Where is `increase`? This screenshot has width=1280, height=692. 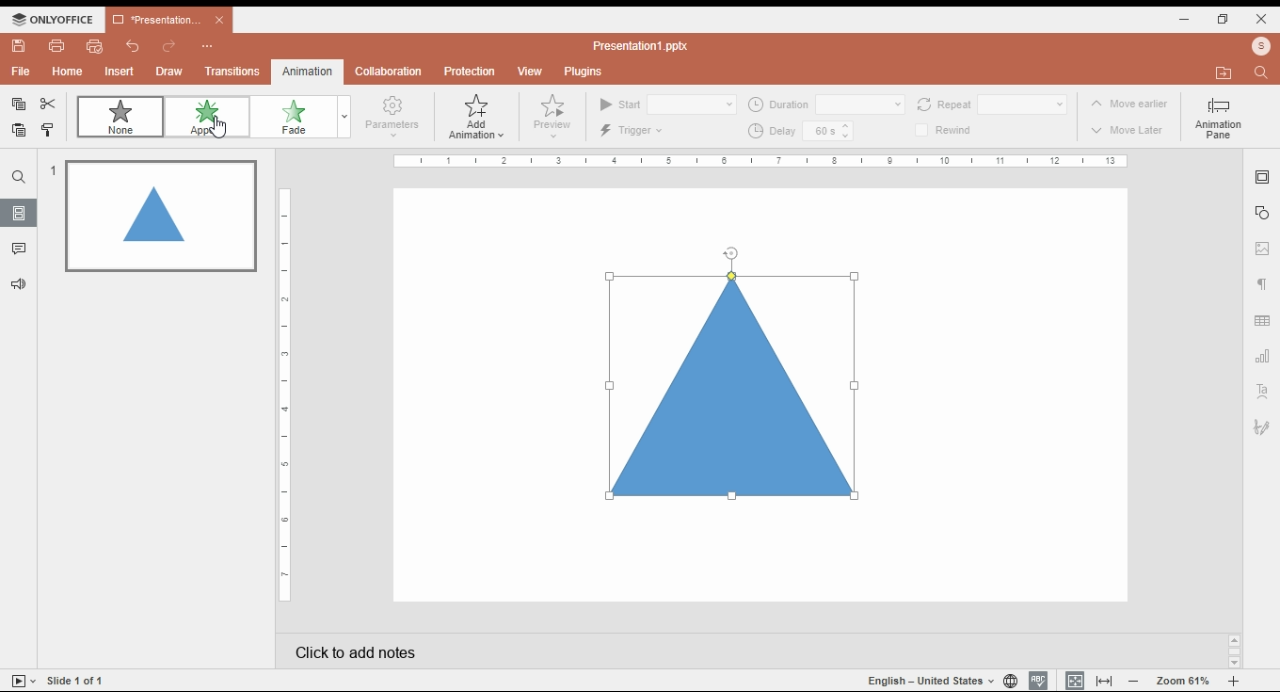 increase is located at coordinates (847, 125).